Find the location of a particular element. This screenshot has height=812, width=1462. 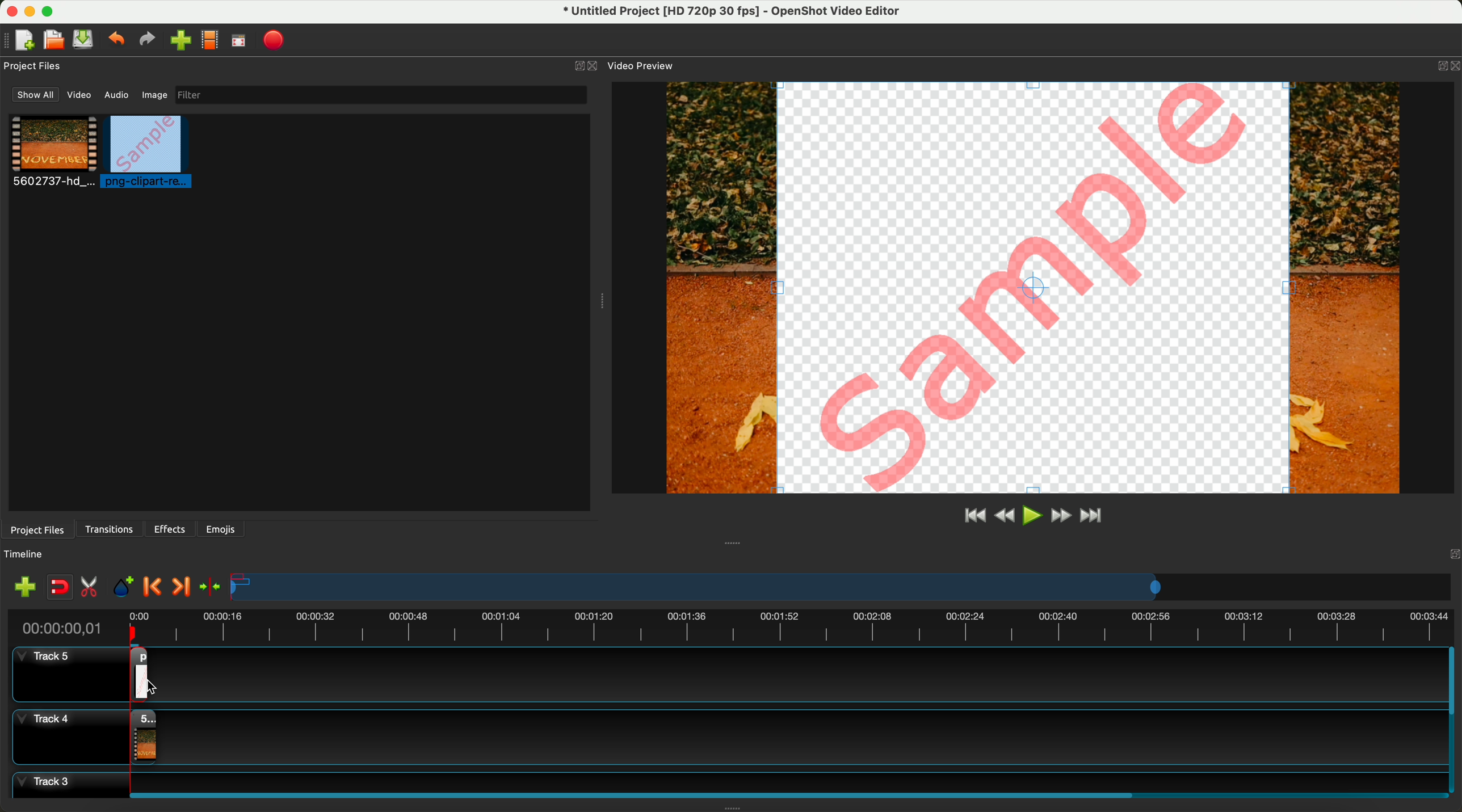

 is located at coordinates (1451, 553).